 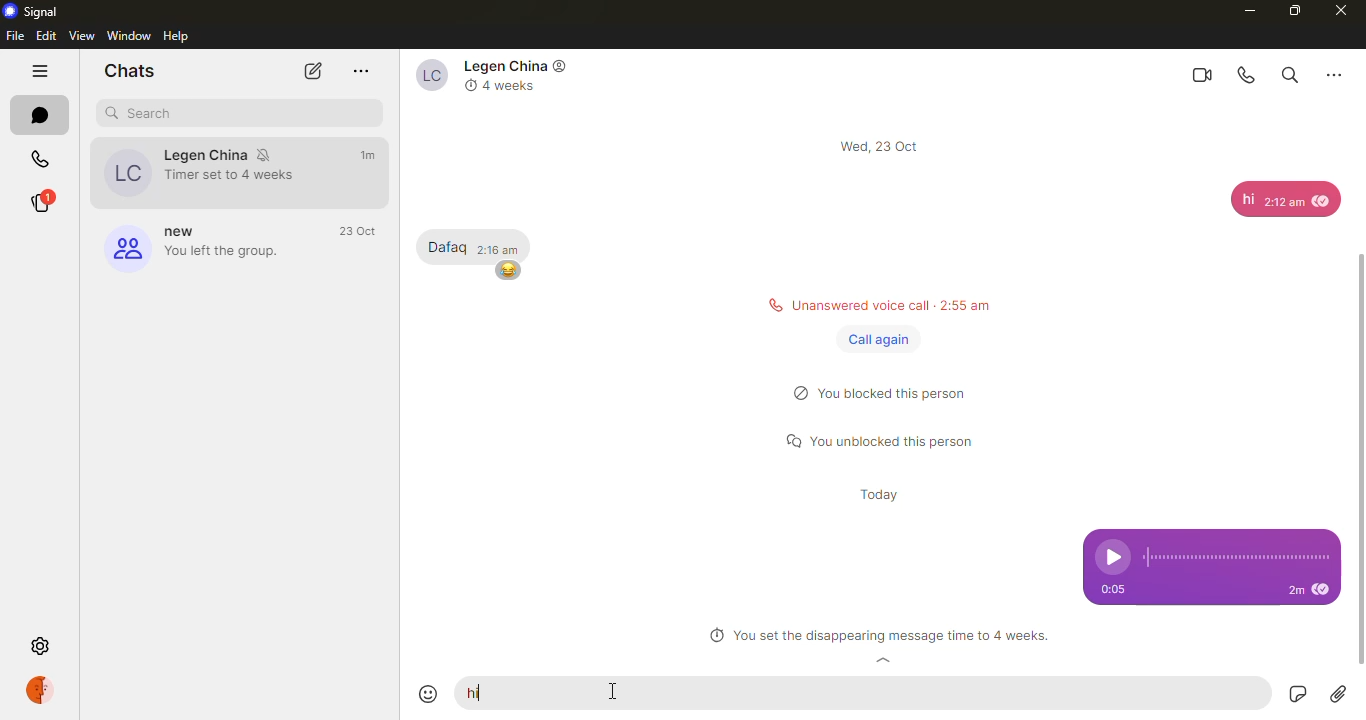 What do you see at coordinates (1244, 10) in the screenshot?
I see `minimize` at bounding box center [1244, 10].